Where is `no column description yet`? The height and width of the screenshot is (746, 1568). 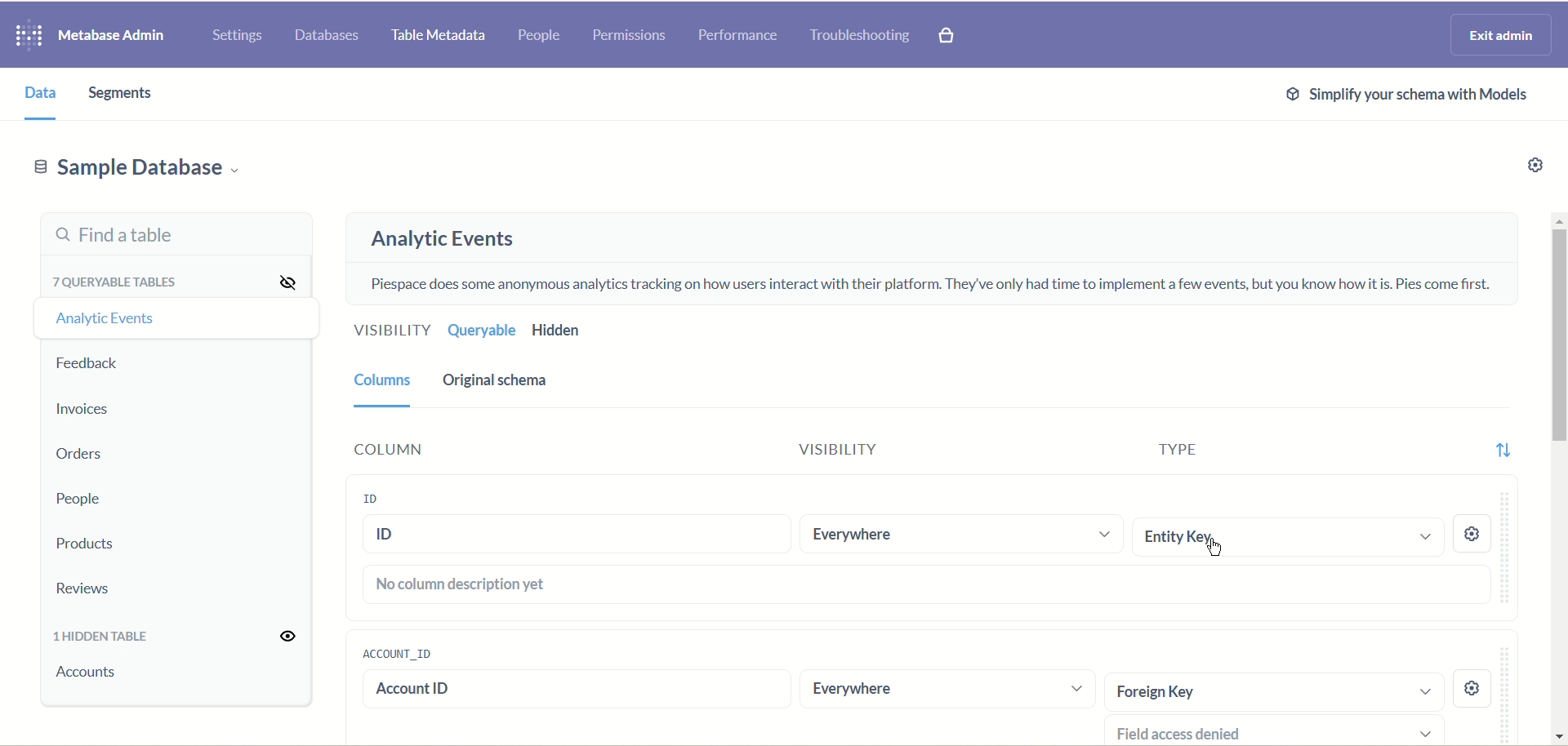
no column description yet is located at coordinates (922, 585).